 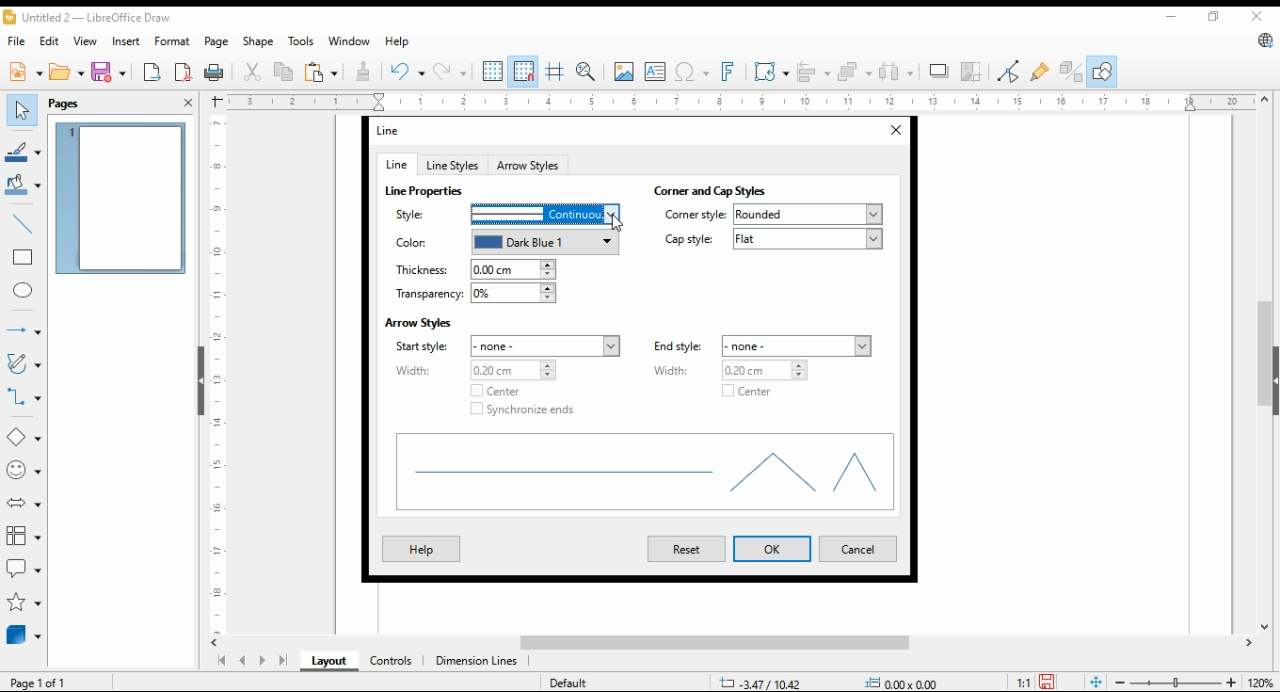 I want to click on 3D objects, so click(x=25, y=634).